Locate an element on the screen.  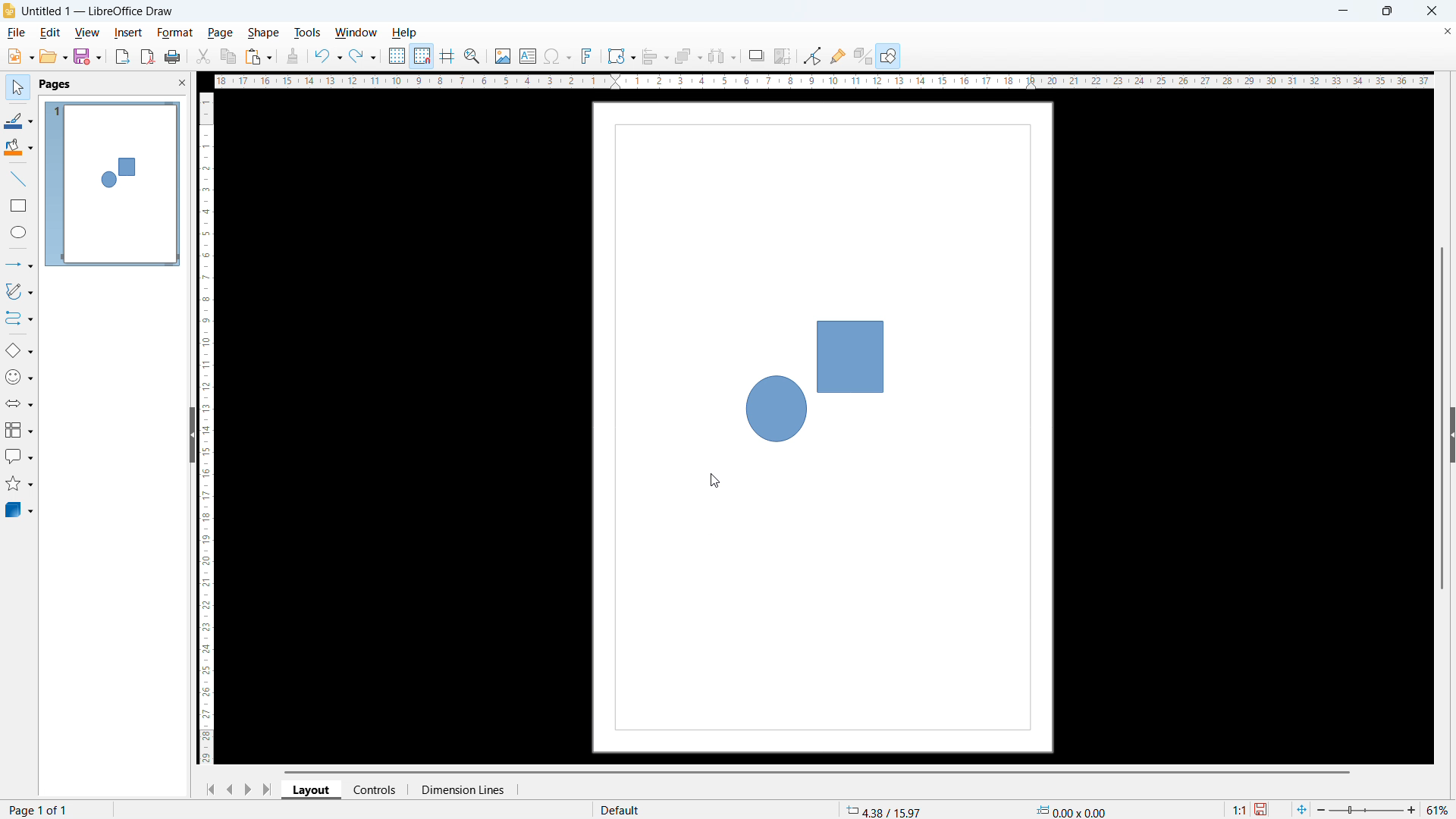
elipse is located at coordinates (20, 231).